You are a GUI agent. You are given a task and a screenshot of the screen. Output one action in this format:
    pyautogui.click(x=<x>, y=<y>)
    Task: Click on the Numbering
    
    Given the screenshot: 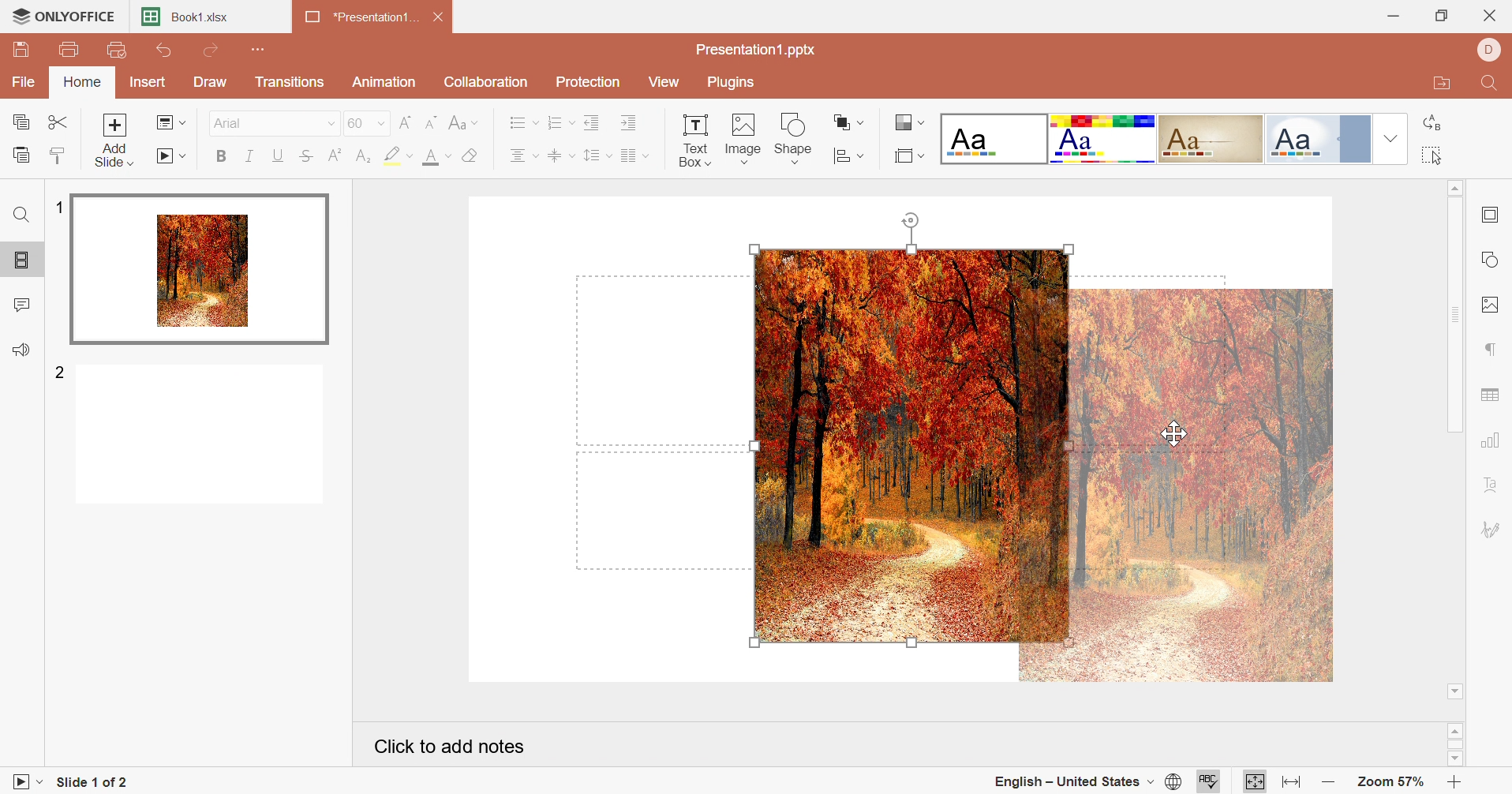 What is the action you would take?
    pyautogui.click(x=560, y=122)
    